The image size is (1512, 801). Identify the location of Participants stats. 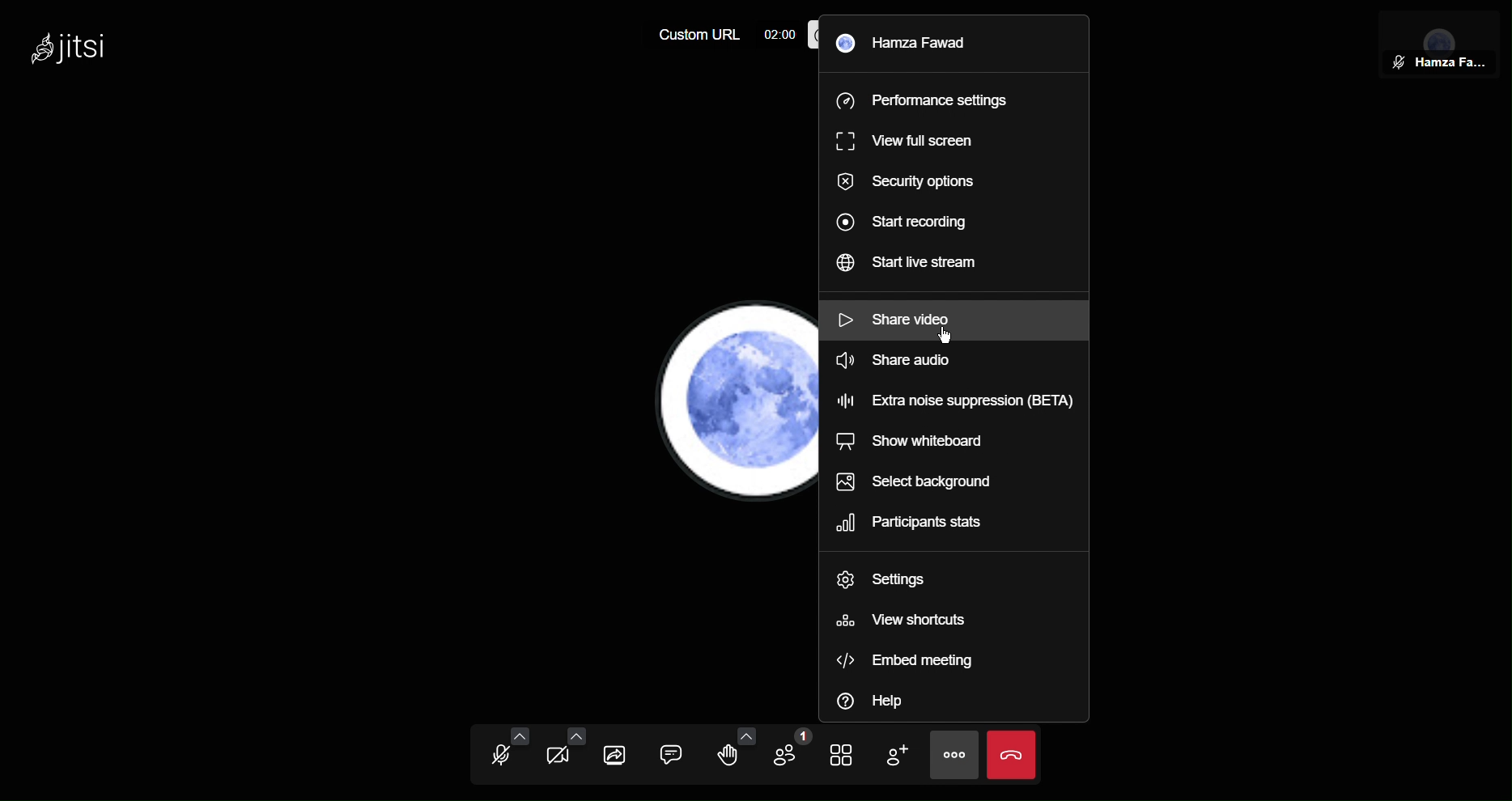
(911, 524).